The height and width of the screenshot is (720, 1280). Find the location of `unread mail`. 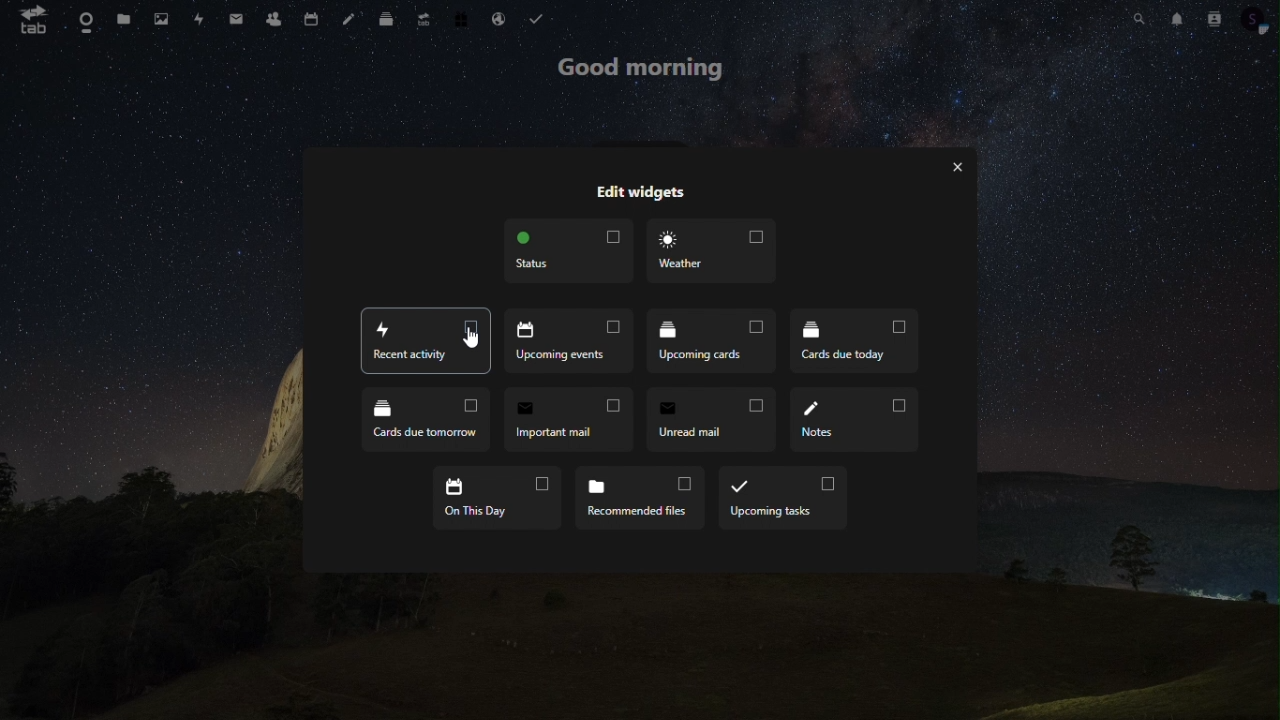

unread mail is located at coordinates (713, 420).